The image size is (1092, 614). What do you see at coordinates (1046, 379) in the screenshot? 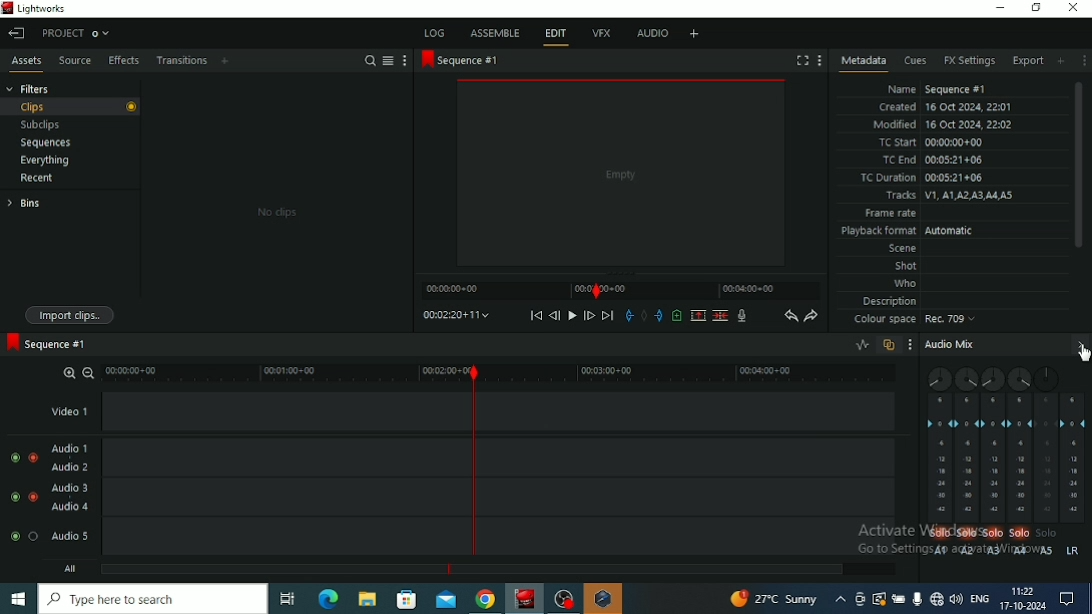
I see `Adjust Pan` at bounding box center [1046, 379].